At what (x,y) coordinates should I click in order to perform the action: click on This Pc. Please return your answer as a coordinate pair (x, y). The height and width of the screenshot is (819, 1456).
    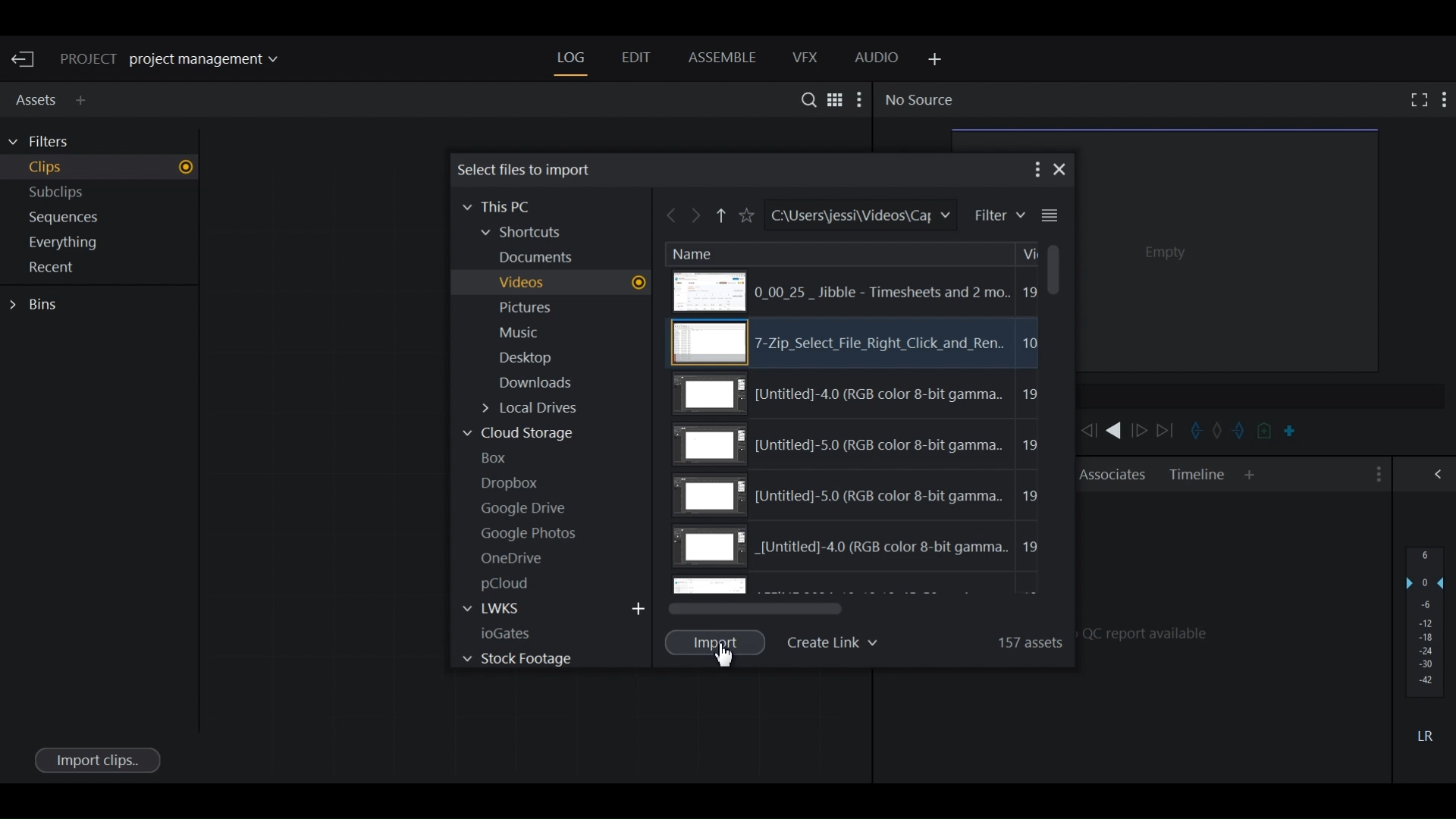
    Looking at the image, I should click on (504, 206).